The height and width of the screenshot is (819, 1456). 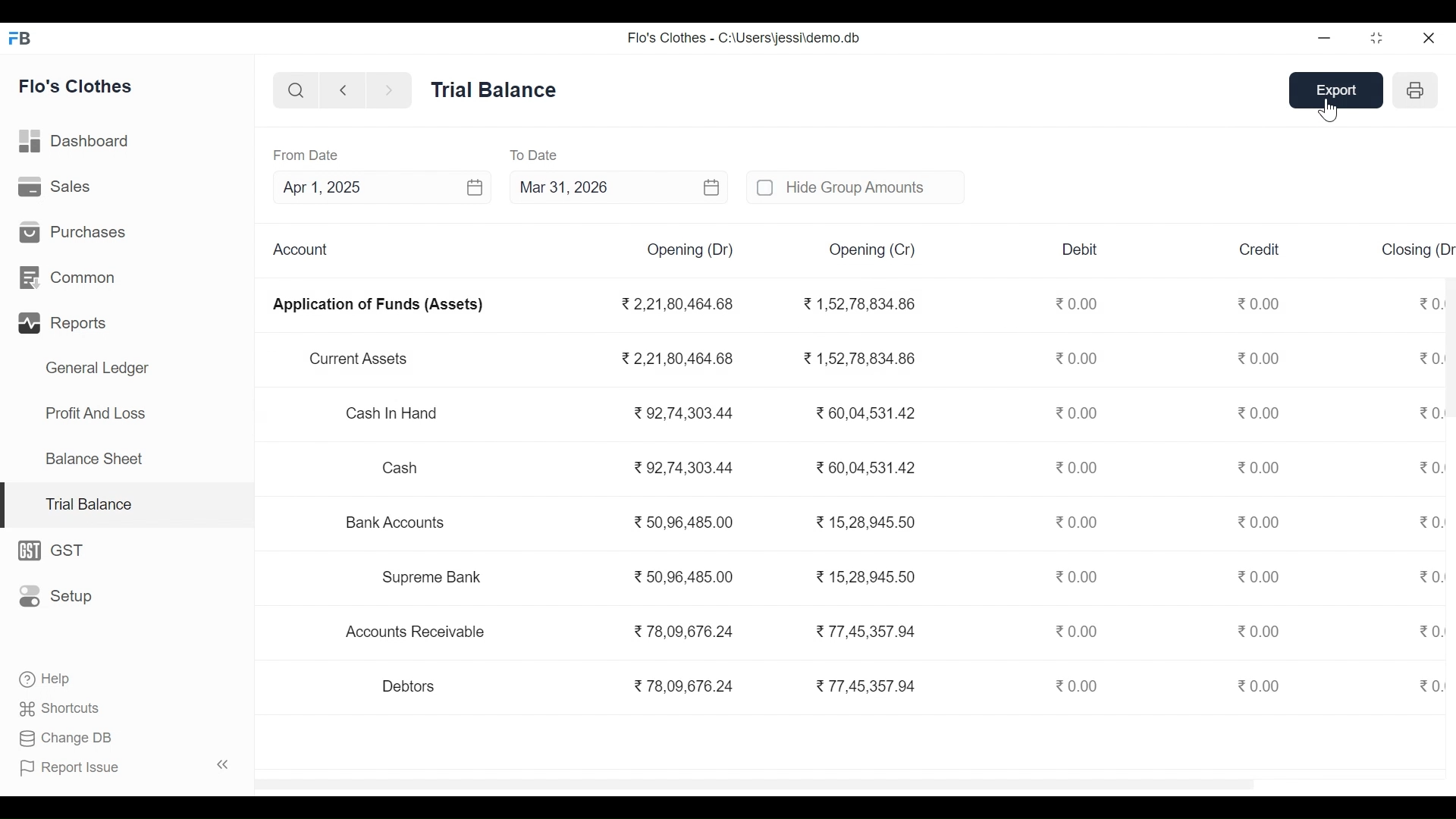 What do you see at coordinates (74, 232) in the screenshot?
I see `Purchases` at bounding box center [74, 232].